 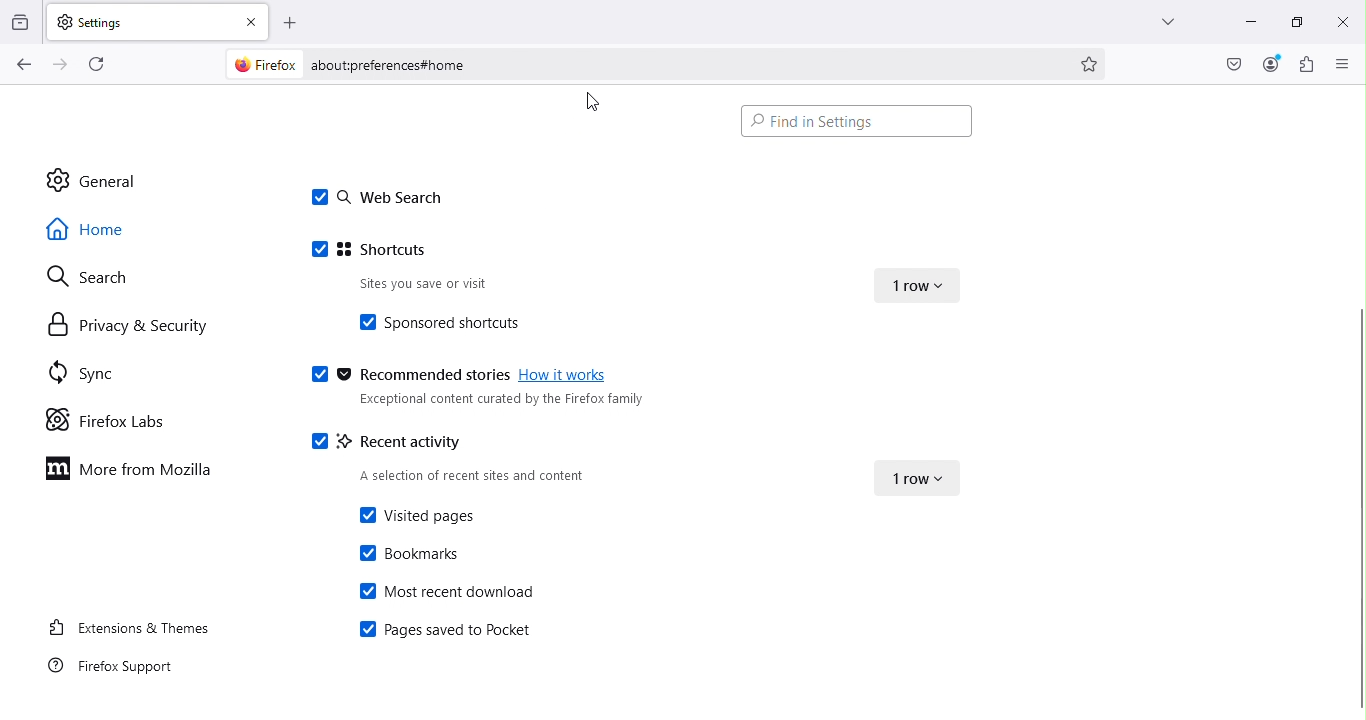 What do you see at coordinates (1344, 65) in the screenshot?
I see `Open application menu` at bounding box center [1344, 65].